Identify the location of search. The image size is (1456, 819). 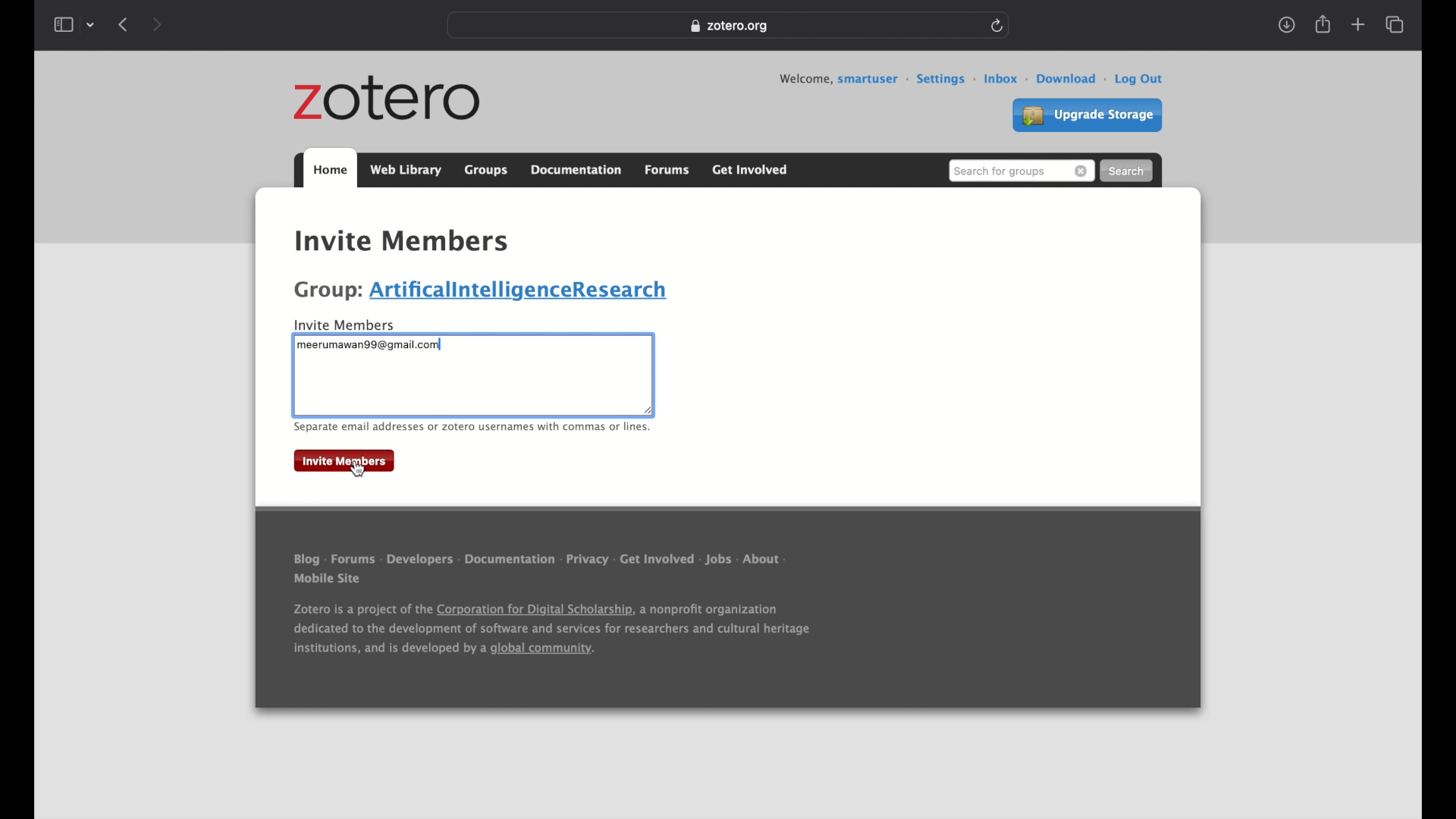
(1128, 171).